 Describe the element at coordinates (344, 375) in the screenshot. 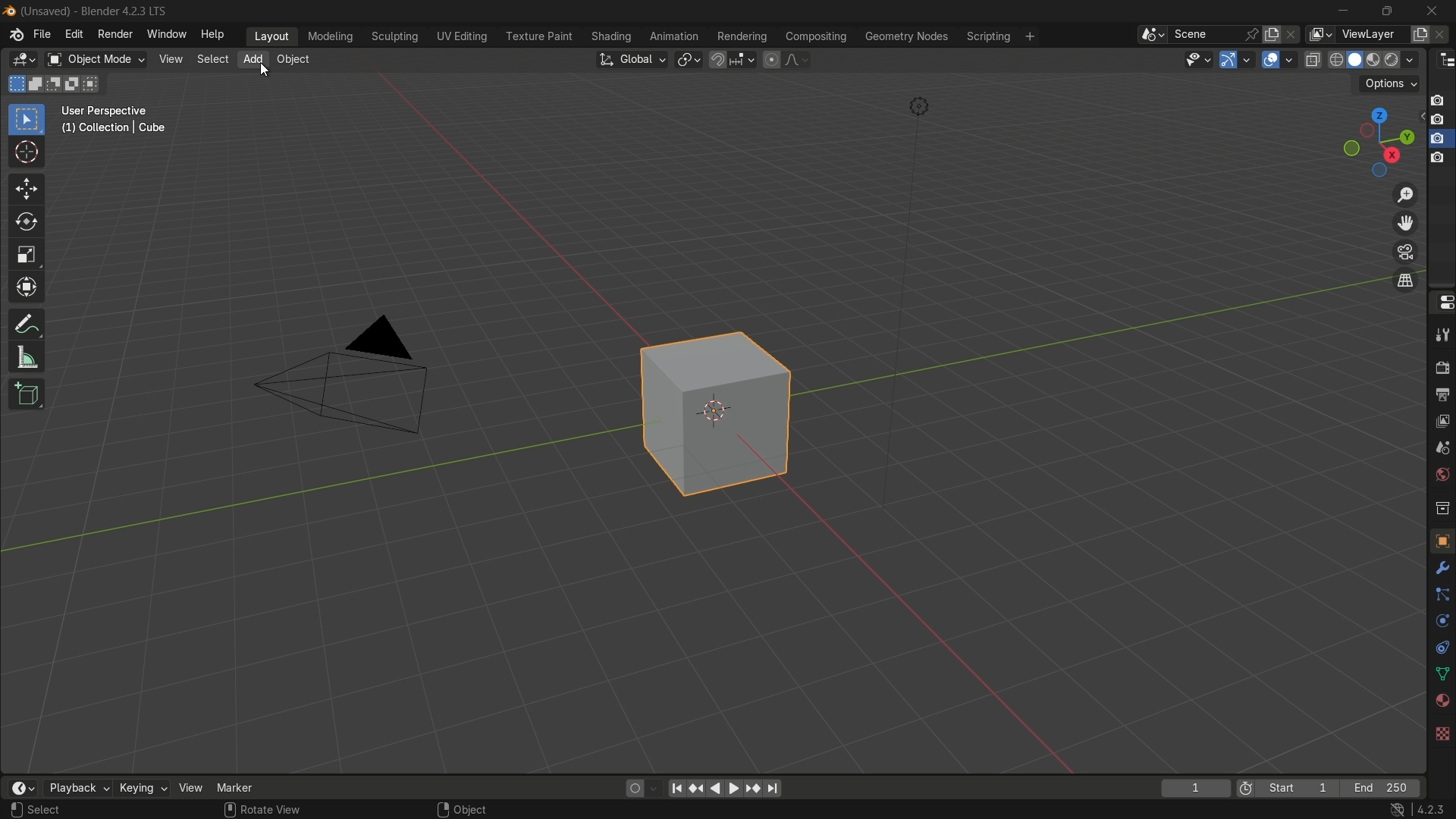

I see `camera` at that location.